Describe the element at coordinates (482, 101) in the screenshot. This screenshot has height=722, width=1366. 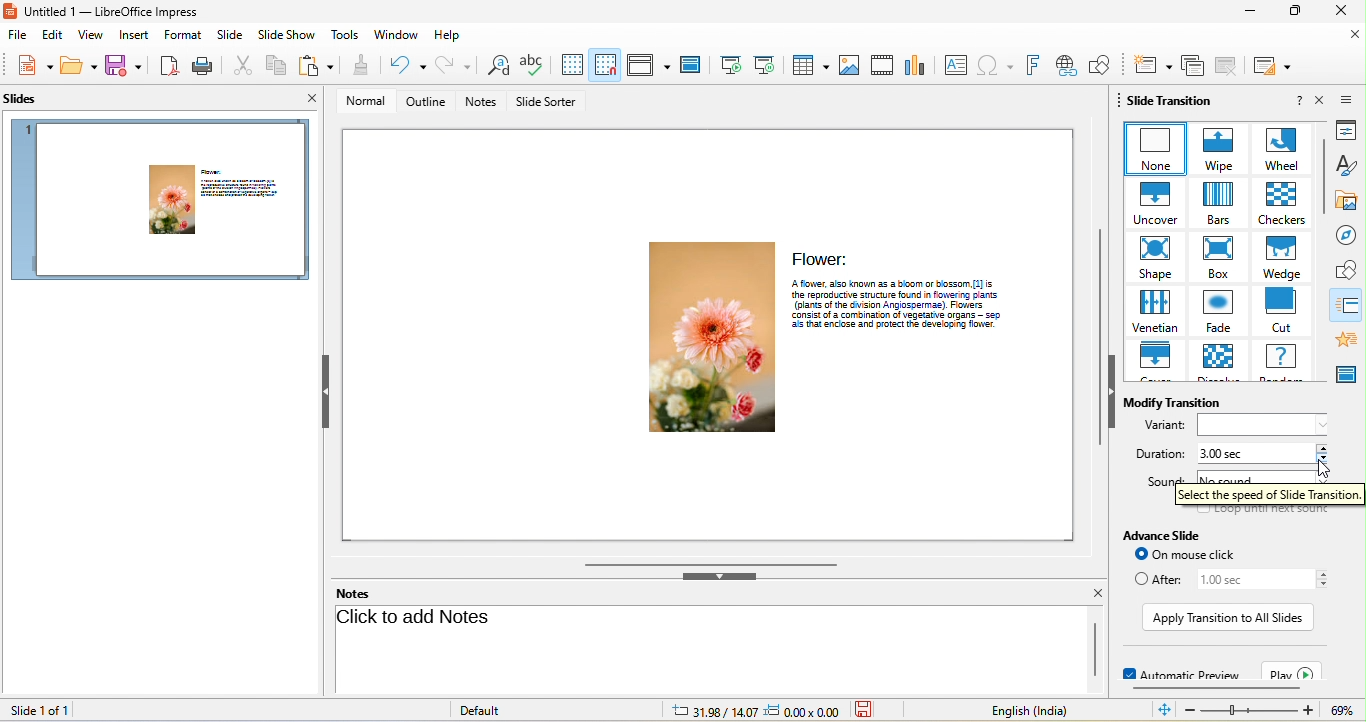
I see `notes` at that location.